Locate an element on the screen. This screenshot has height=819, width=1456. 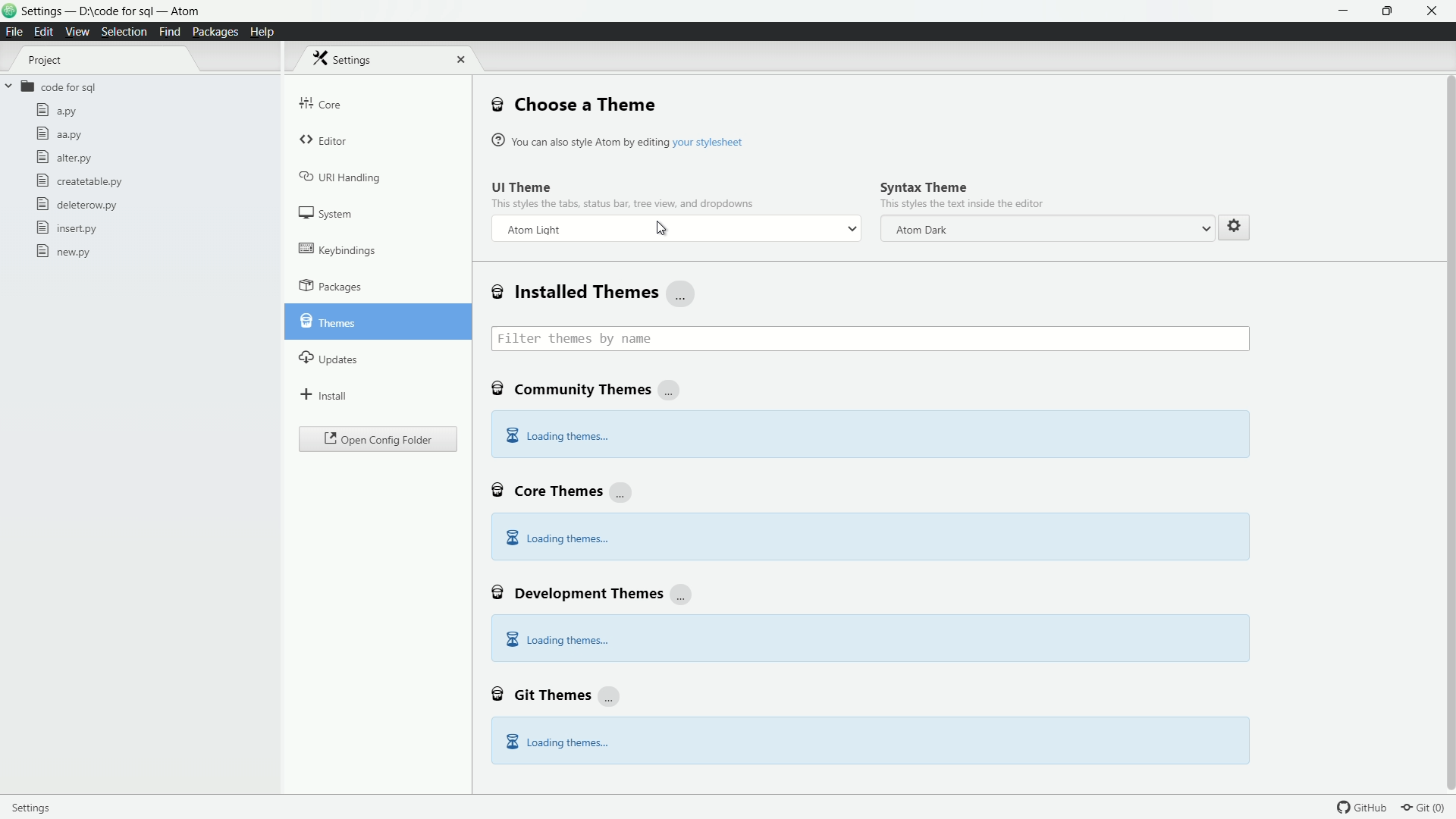
open config folder is located at coordinates (378, 440).